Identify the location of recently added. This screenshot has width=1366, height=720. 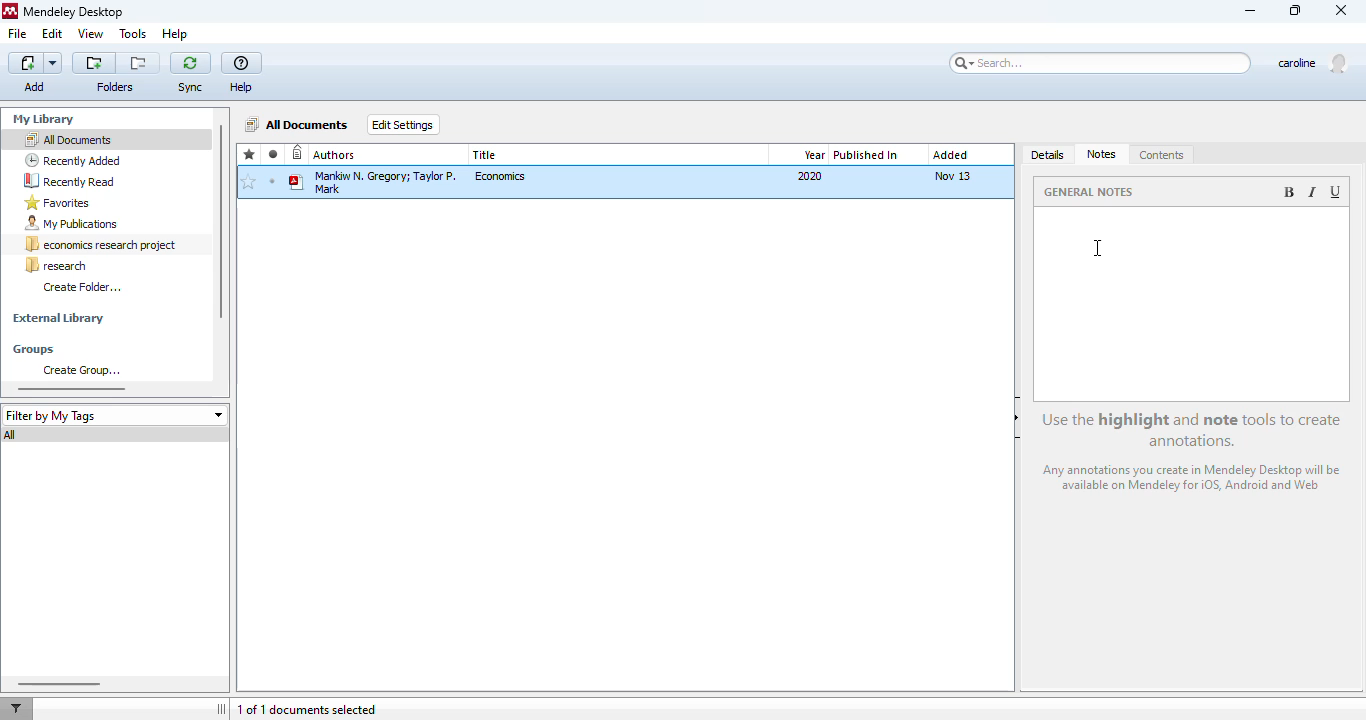
(73, 160).